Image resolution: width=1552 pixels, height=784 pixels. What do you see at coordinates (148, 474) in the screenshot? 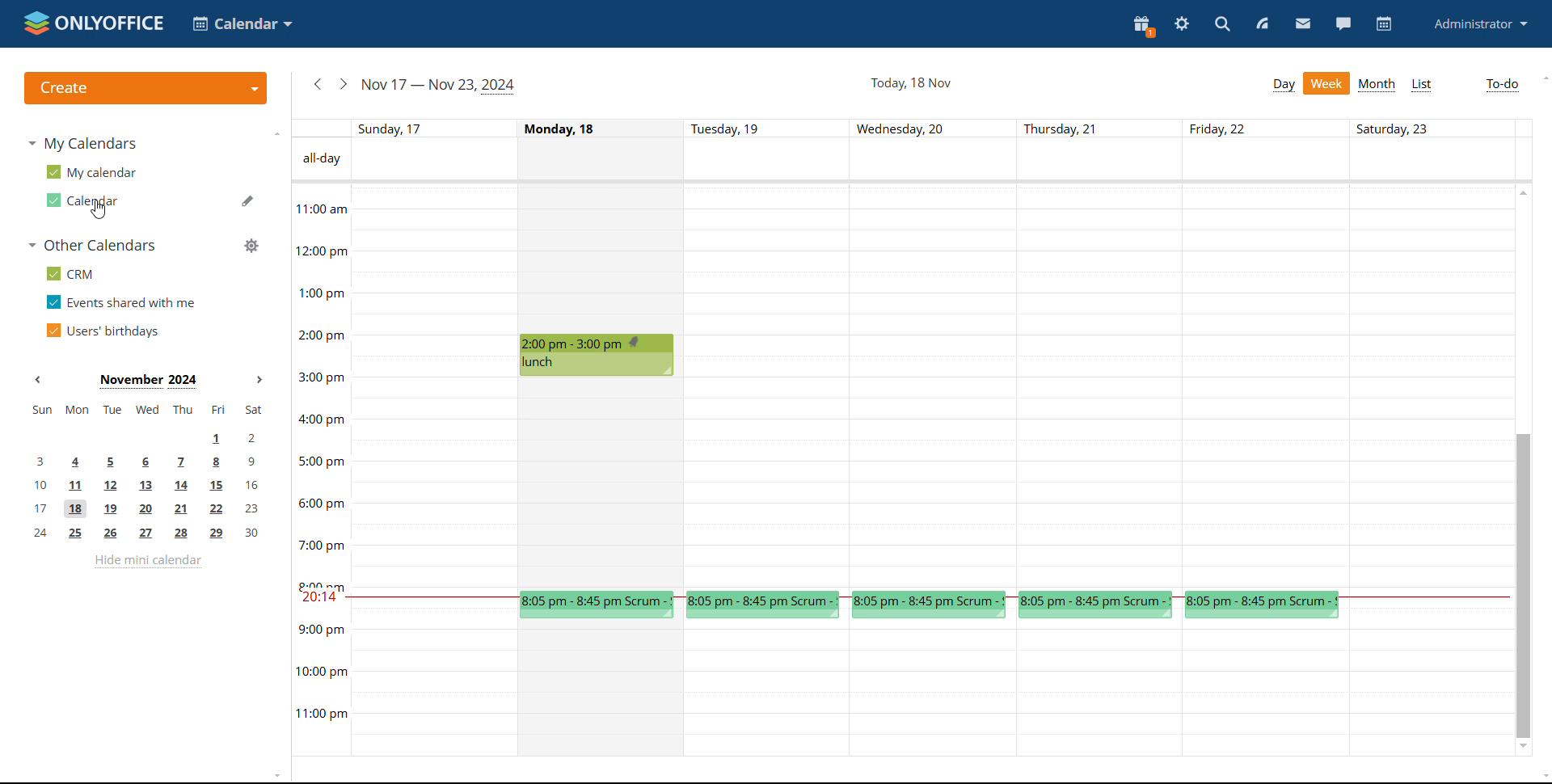
I see `mini calendar, underlined dates are events` at bounding box center [148, 474].